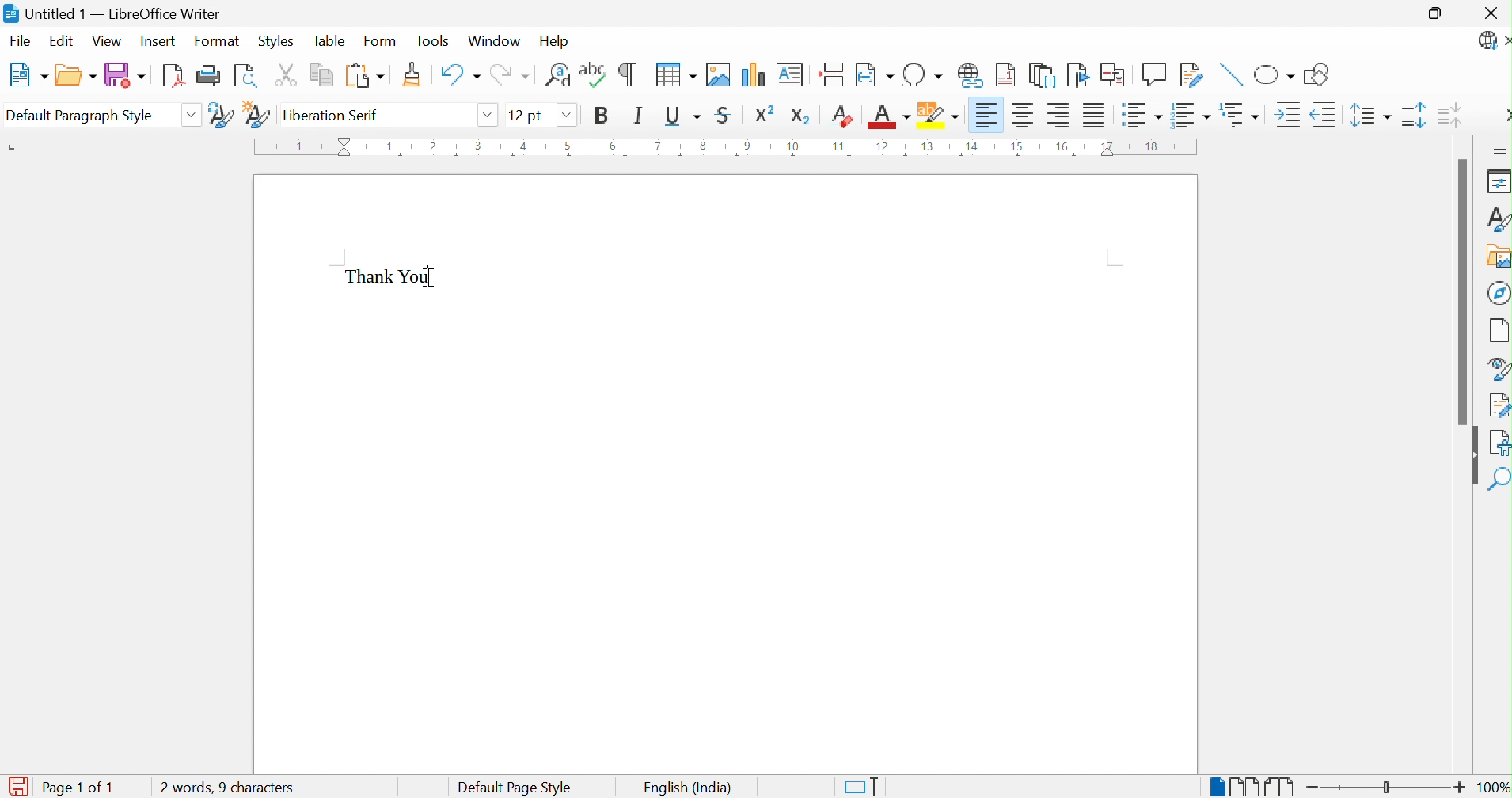 The height and width of the screenshot is (798, 1512). I want to click on Insert Table, so click(674, 74).